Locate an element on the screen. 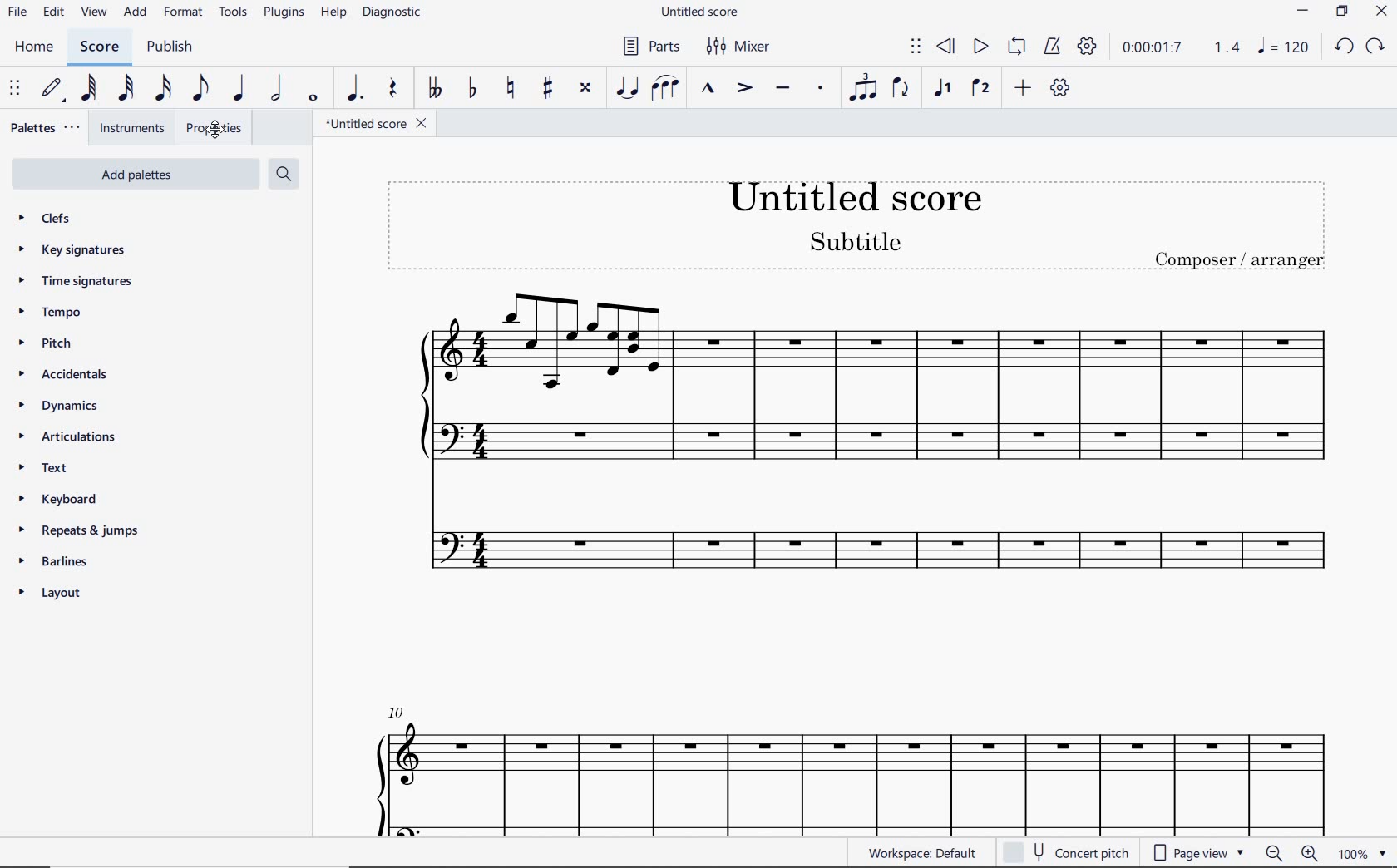 The width and height of the screenshot is (1397, 868). REWIND is located at coordinates (946, 47).